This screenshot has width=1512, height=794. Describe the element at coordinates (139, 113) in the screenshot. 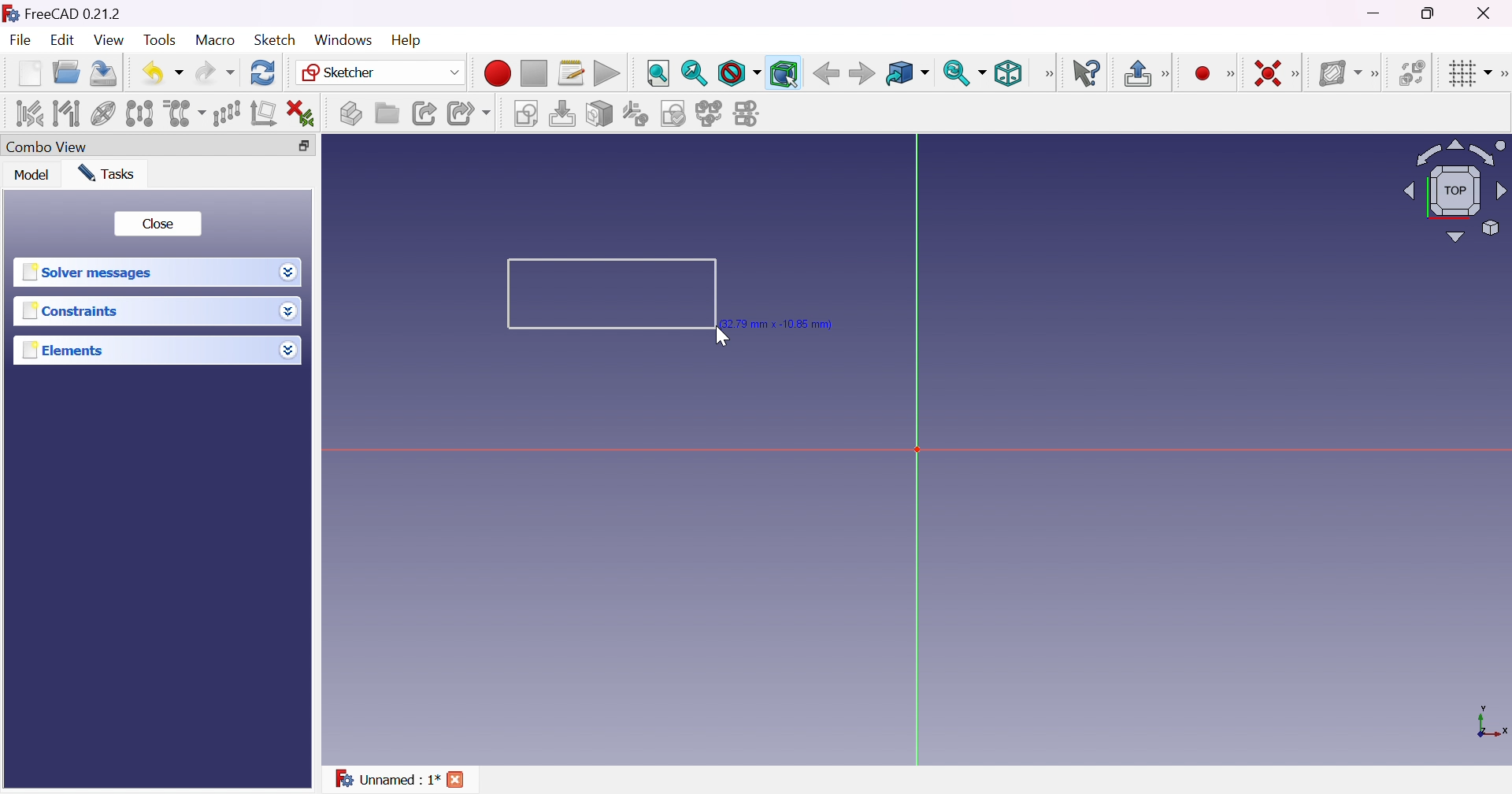

I see `Symmetry` at that location.